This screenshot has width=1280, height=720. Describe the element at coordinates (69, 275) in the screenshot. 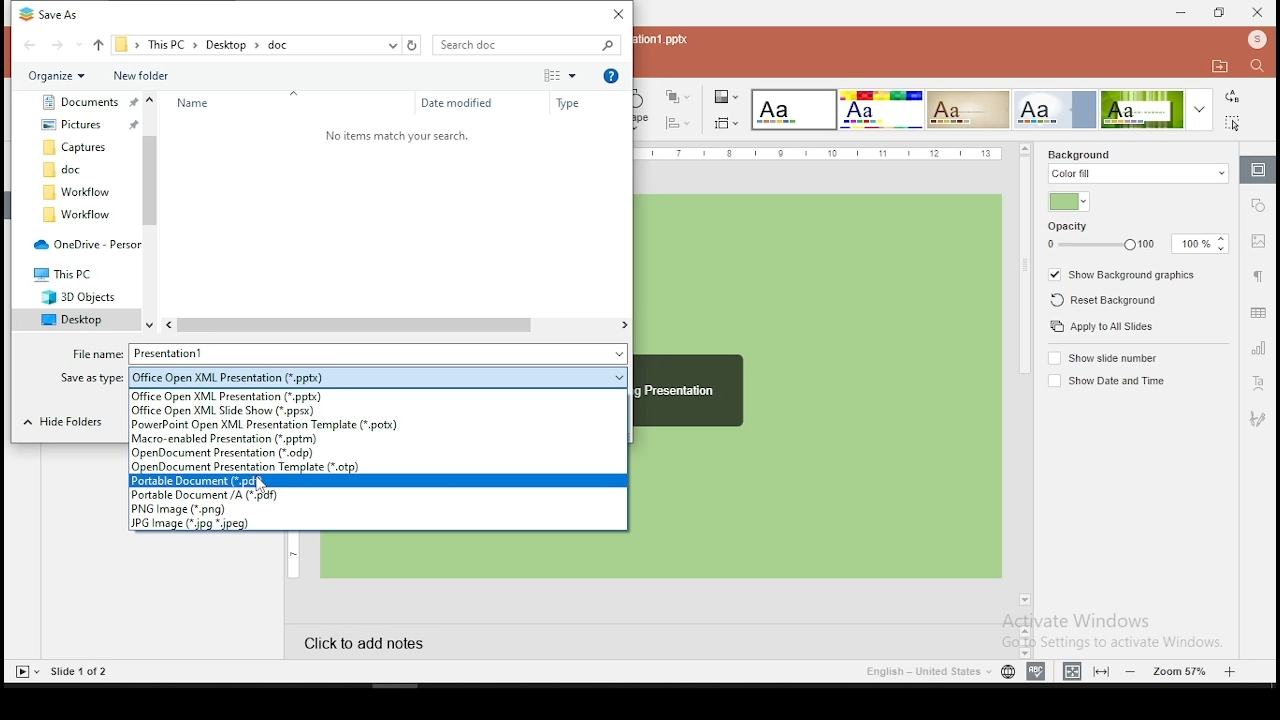

I see `This PC` at that location.